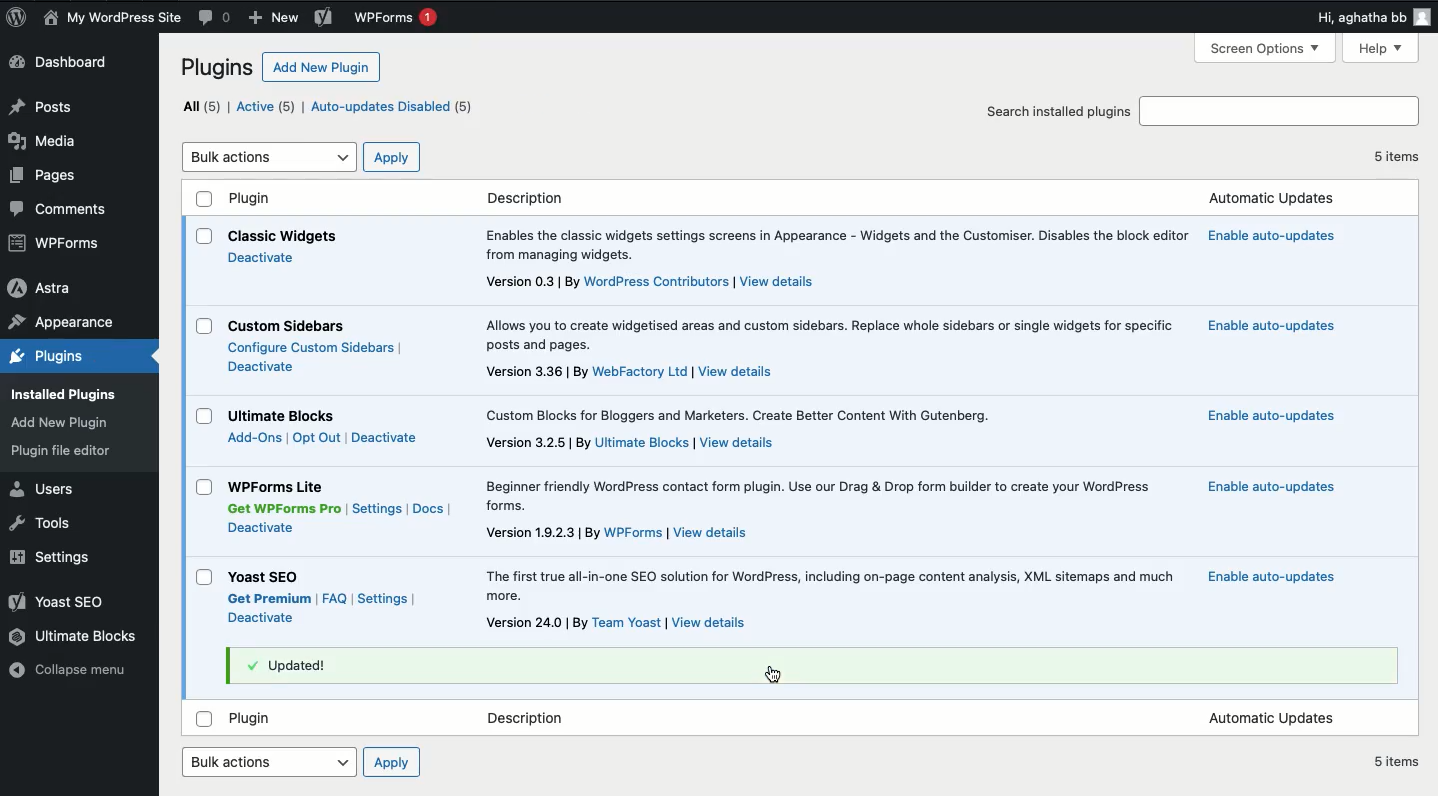  What do you see at coordinates (1268, 235) in the screenshot?
I see `Enable auto updates` at bounding box center [1268, 235].